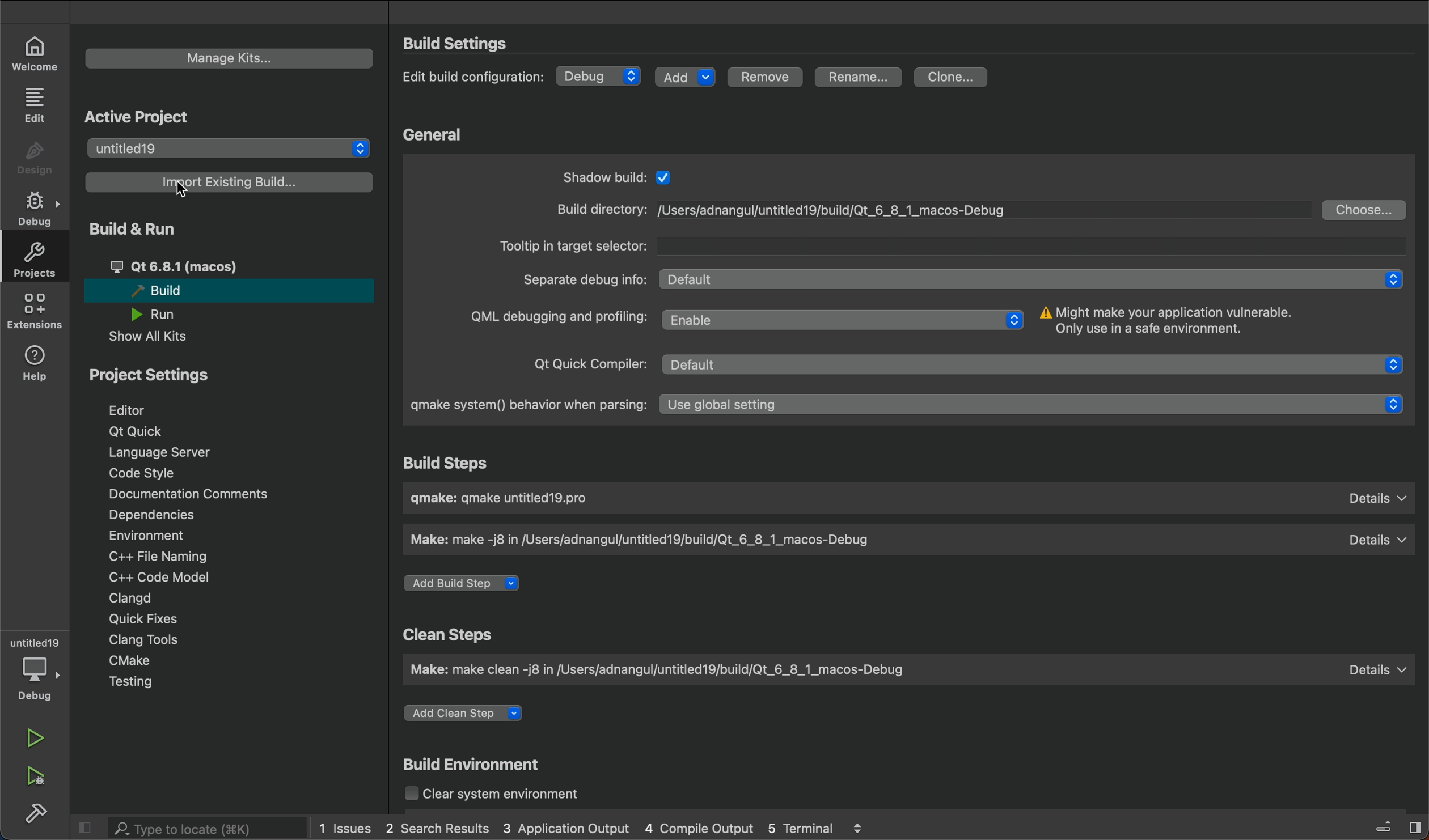 The height and width of the screenshot is (840, 1429). Describe the element at coordinates (591, 829) in the screenshot. I see `logs` at that location.